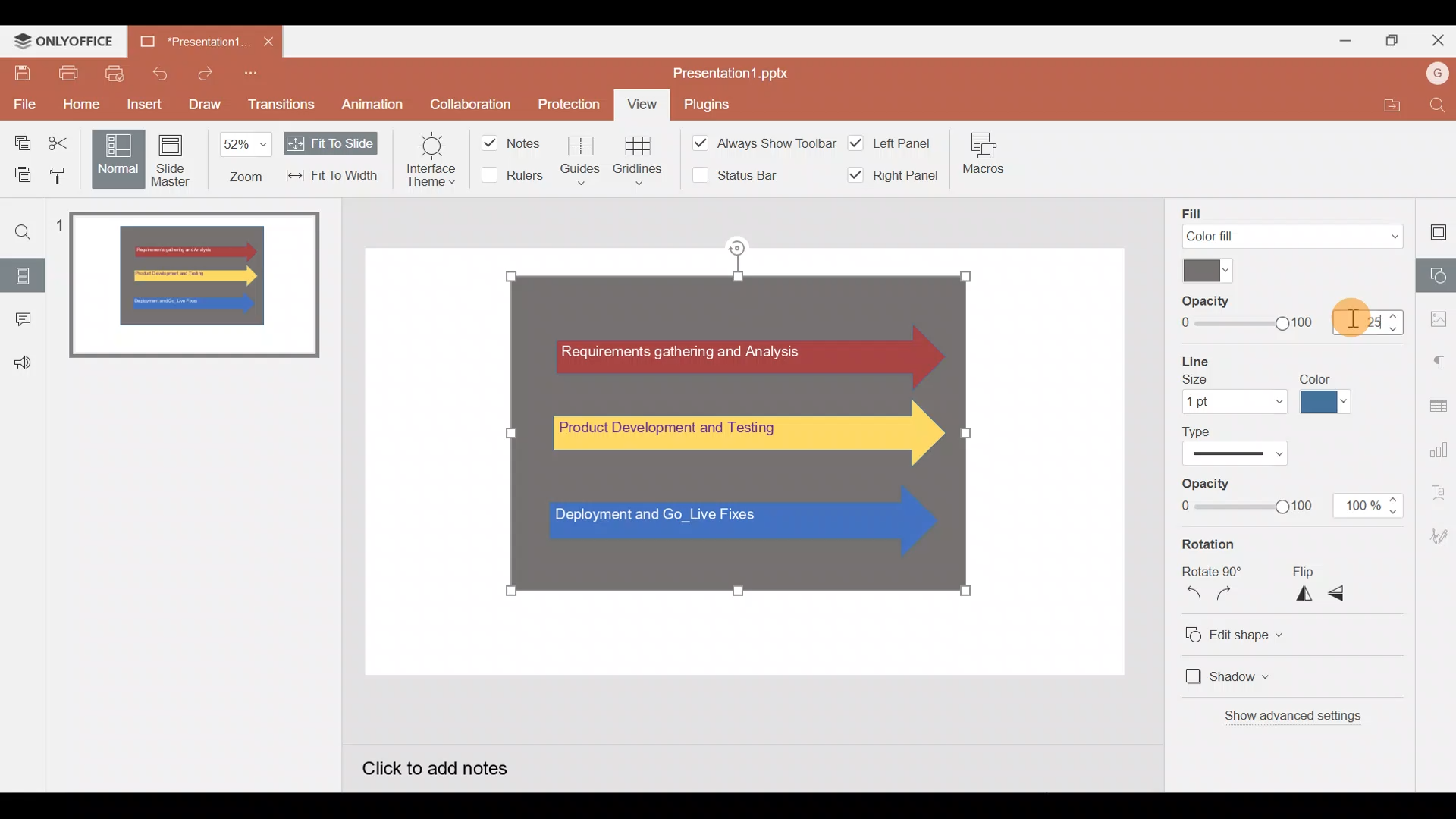 Image resolution: width=1456 pixels, height=819 pixels. Describe the element at coordinates (374, 102) in the screenshot. I see `Animation` at that location.